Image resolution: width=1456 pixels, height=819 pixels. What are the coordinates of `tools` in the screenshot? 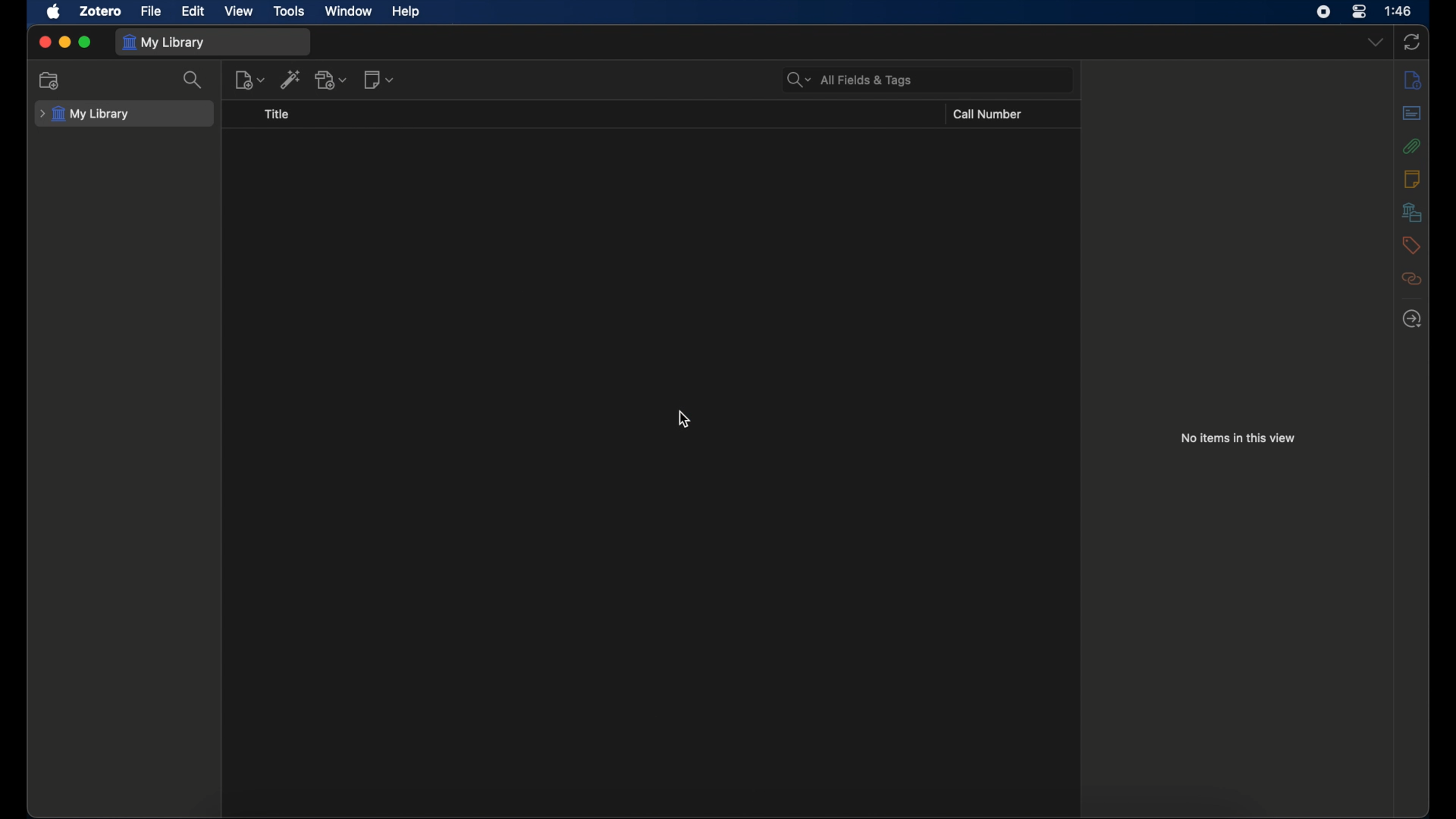 It's located at (288, 10).